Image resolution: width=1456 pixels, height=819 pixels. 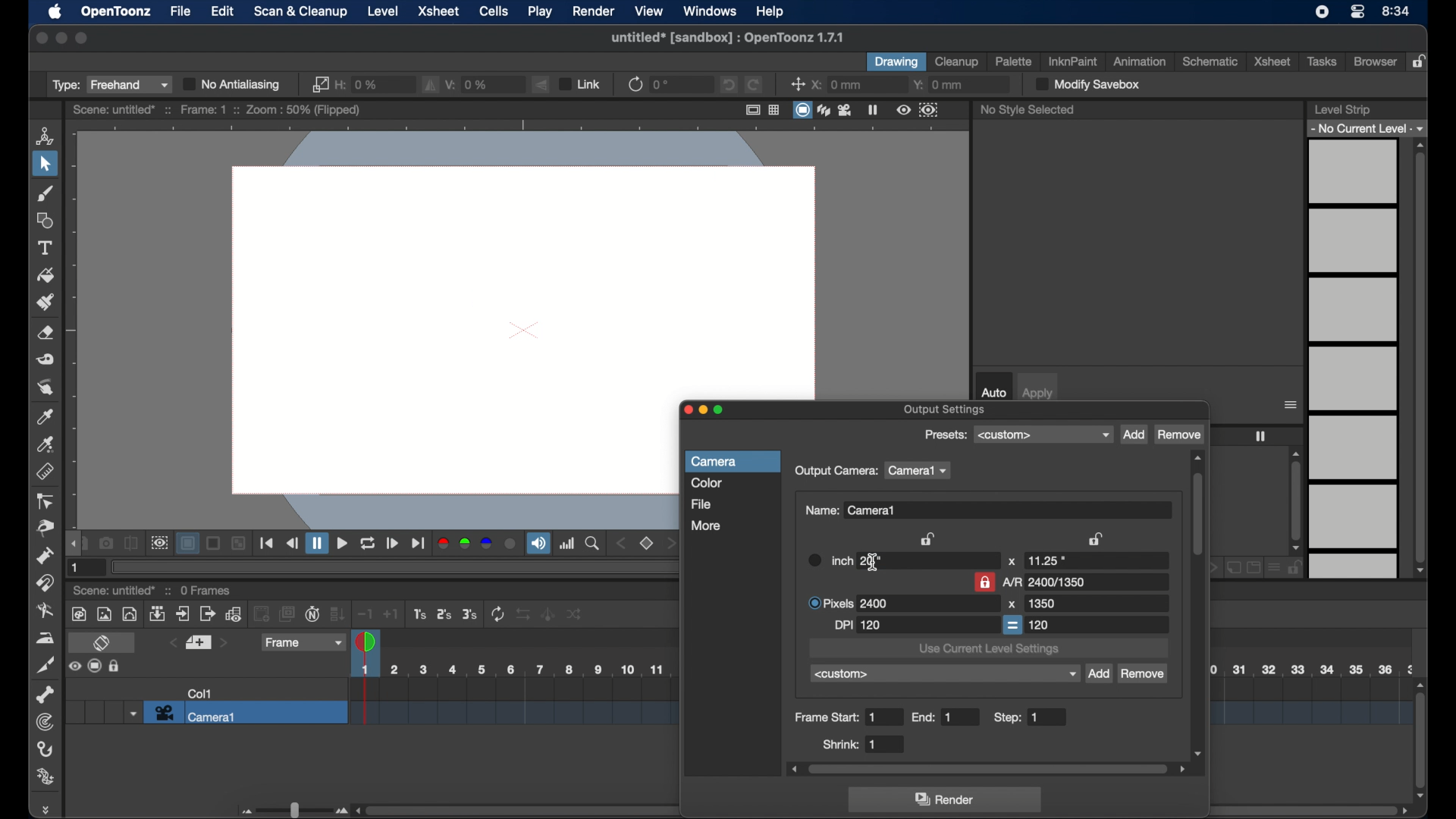 I want to click on , so click(x=471, y=613).